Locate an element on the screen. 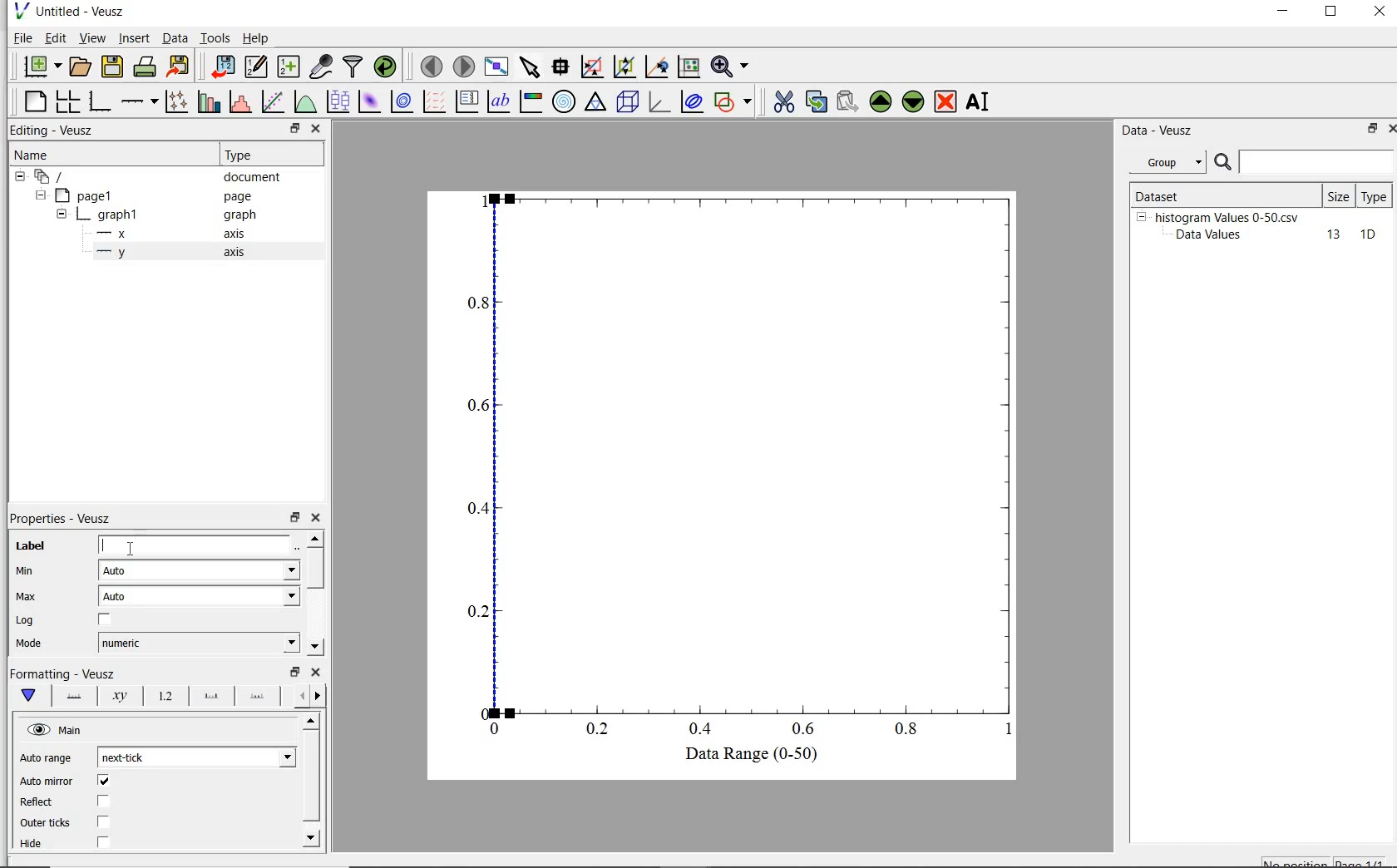 The height and width of the screenshot is (868, 1397). | Mode is located at coordinates (29, 645).